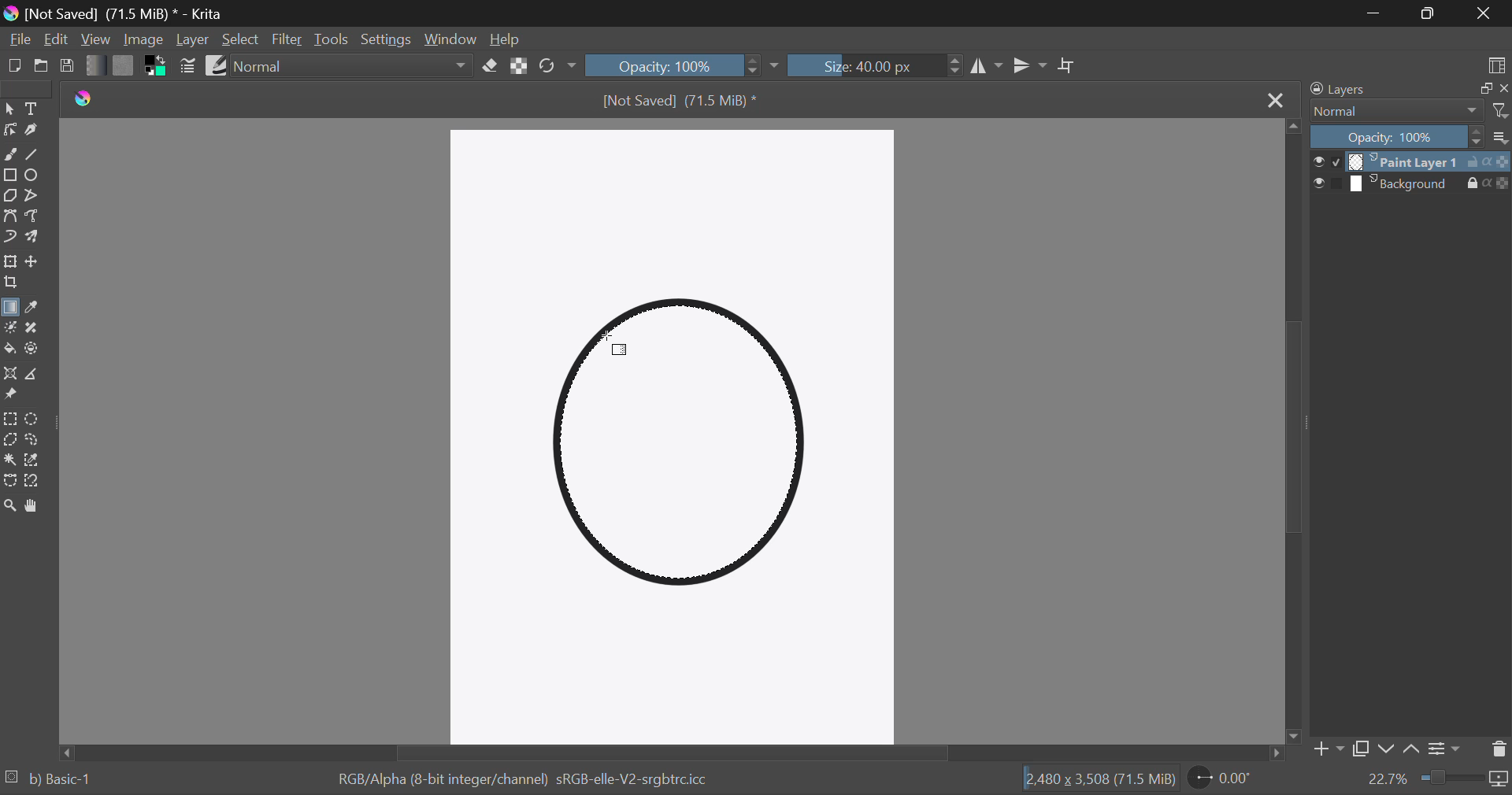  I want to click on logo, so click(14, 15).